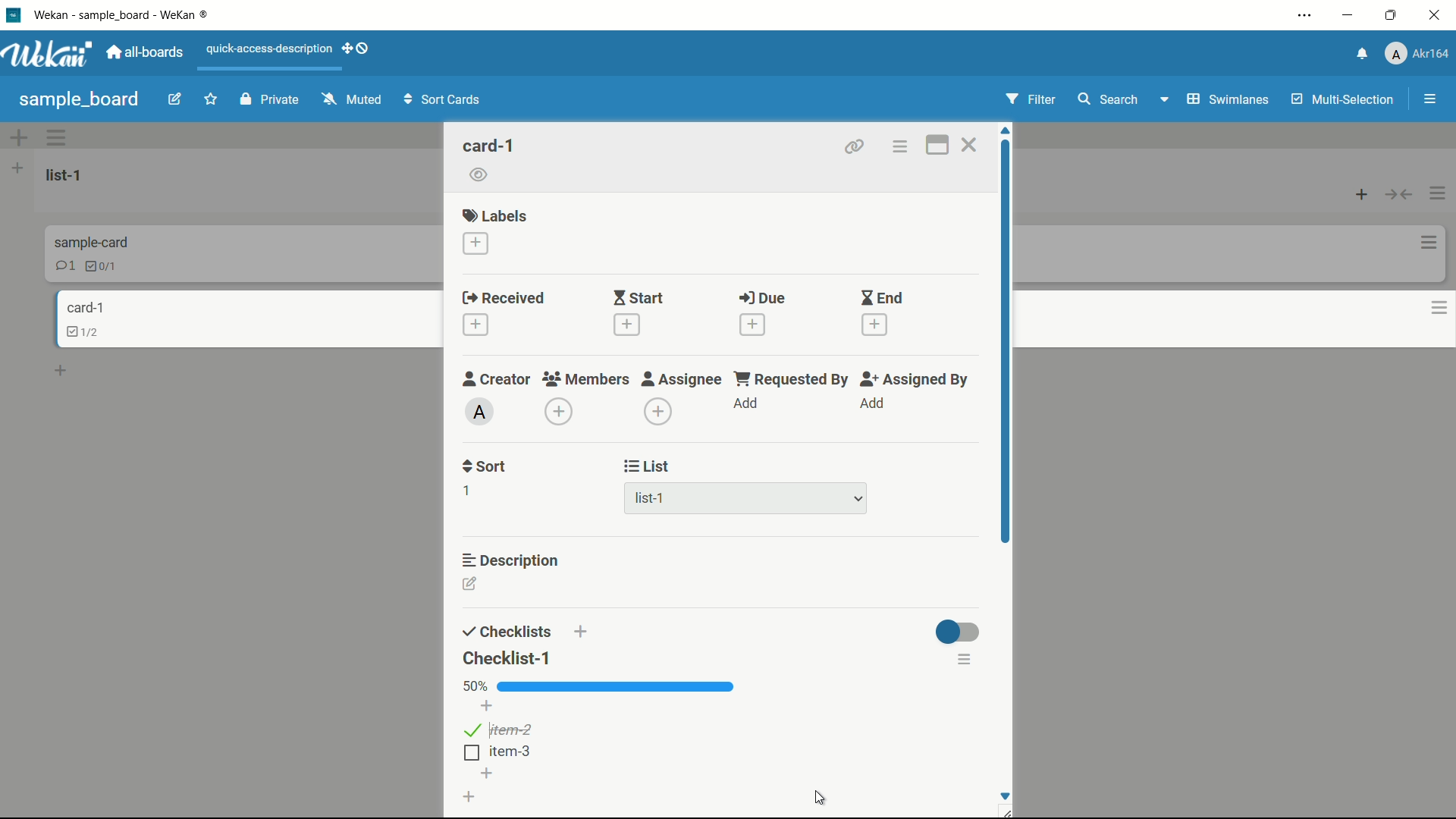 This screenshot has height=819, width=1456. What do you see at coordinates (682, 380) in the screenshot?
I see `assignee` at bounding box center [682, 380].